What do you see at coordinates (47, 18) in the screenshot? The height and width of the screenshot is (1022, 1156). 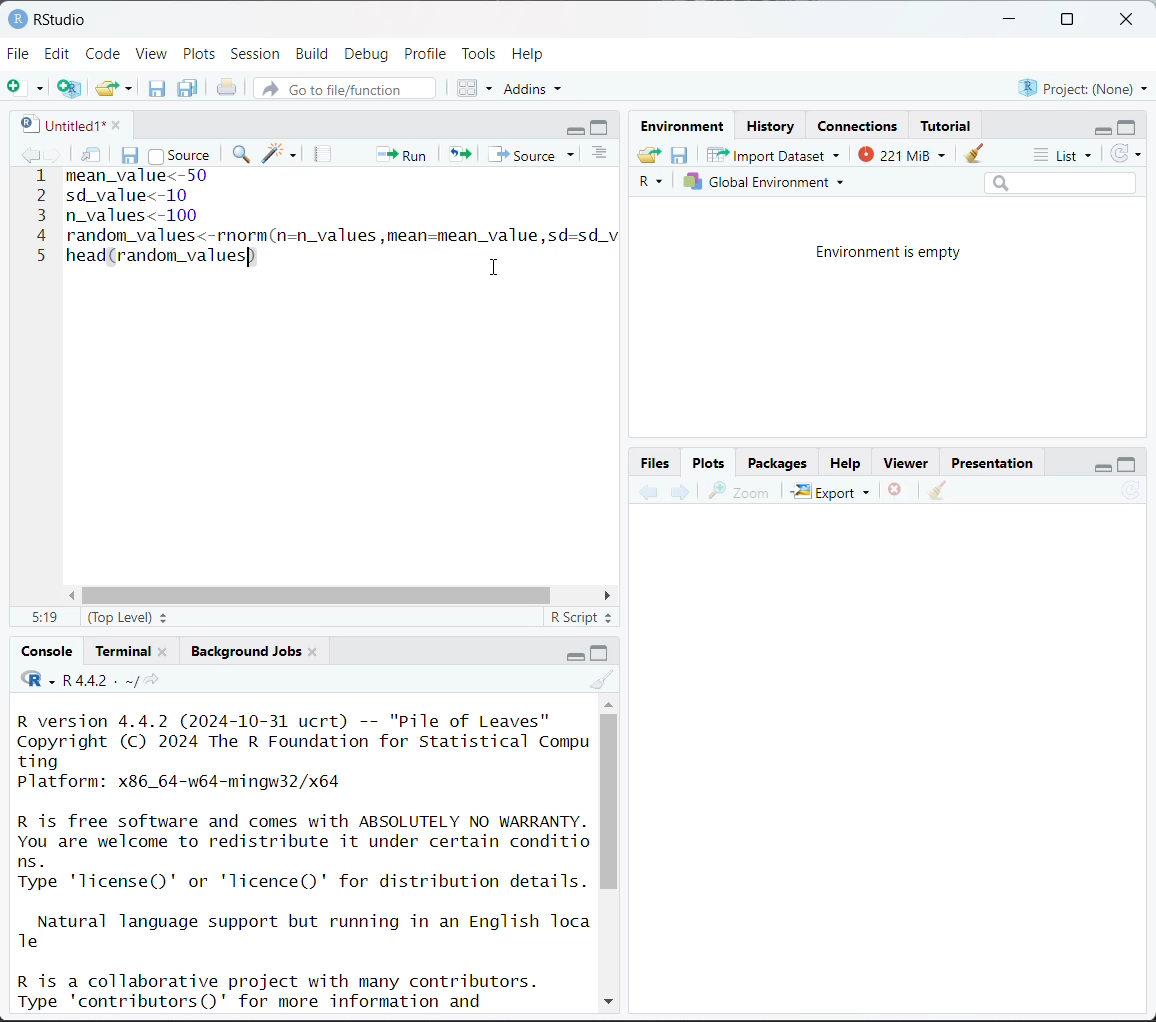 I see `RStudio` at bounding box center [47, 18].